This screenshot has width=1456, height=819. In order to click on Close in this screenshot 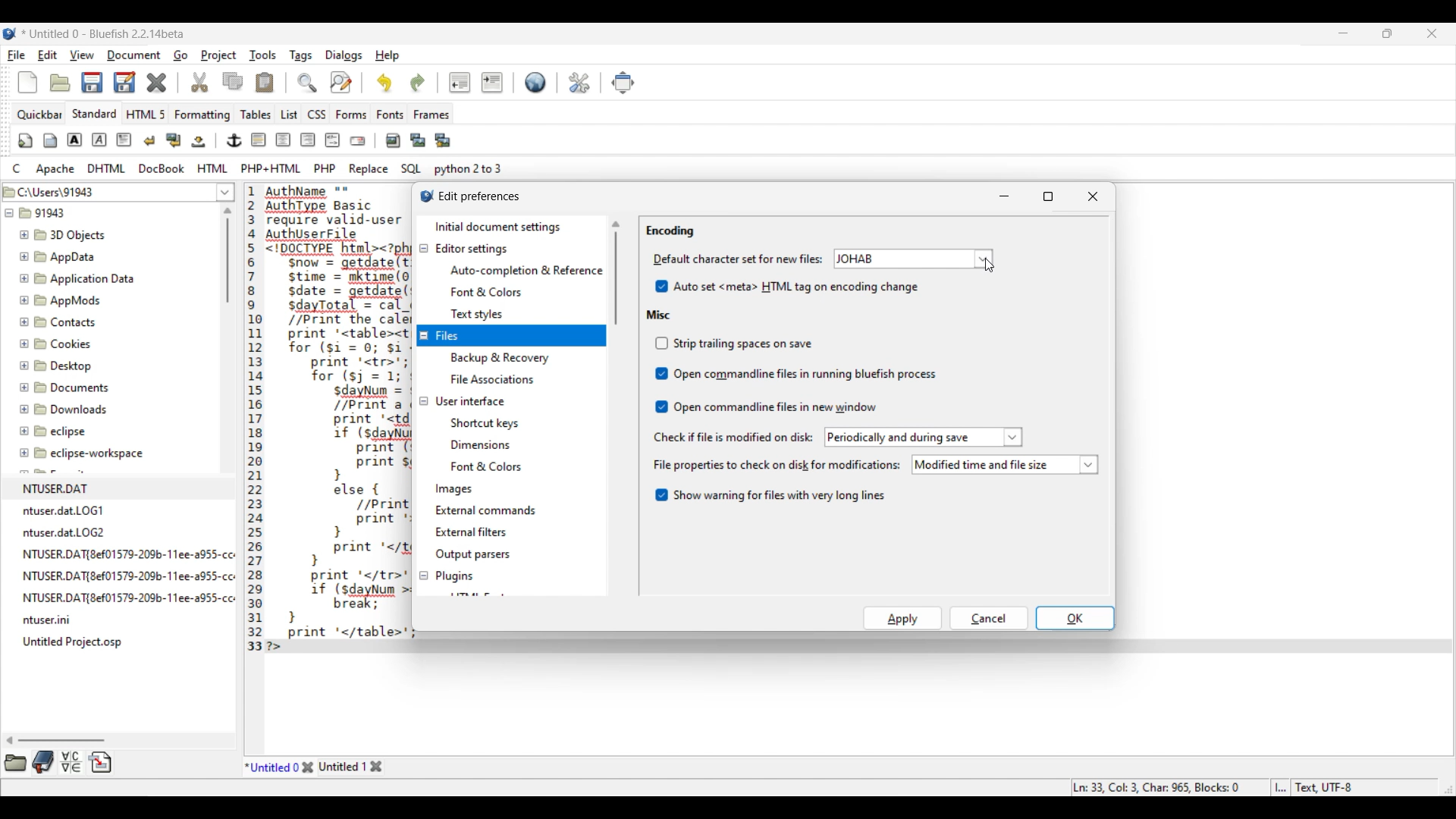, I will do `click(1095, 196)`.